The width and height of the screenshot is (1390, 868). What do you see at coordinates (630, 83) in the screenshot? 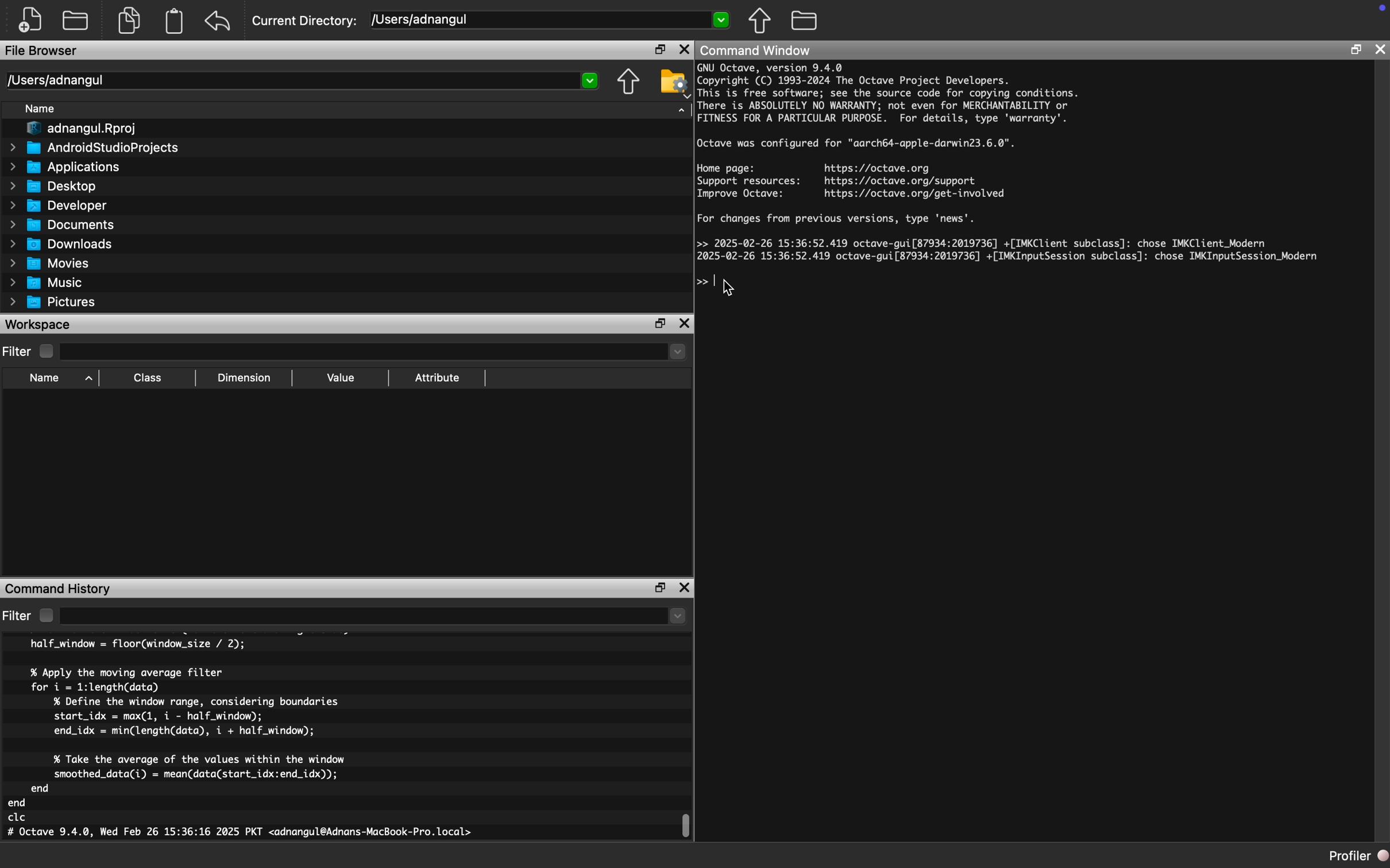
I see `Parent Directory` at bounding box center [630, 83].